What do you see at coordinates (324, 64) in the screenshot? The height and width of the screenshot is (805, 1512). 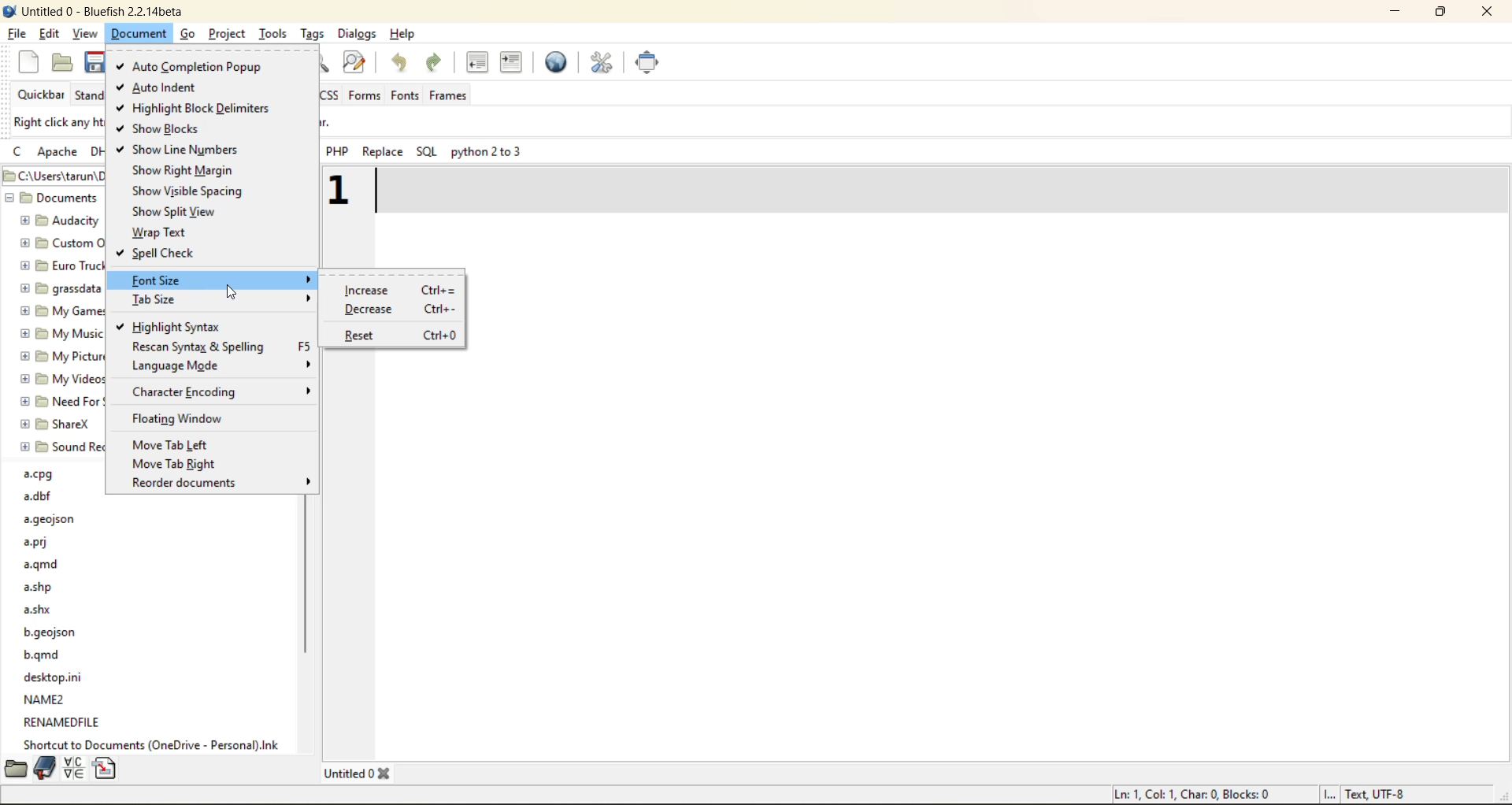 I see `find` at bounding box center [324, 64].